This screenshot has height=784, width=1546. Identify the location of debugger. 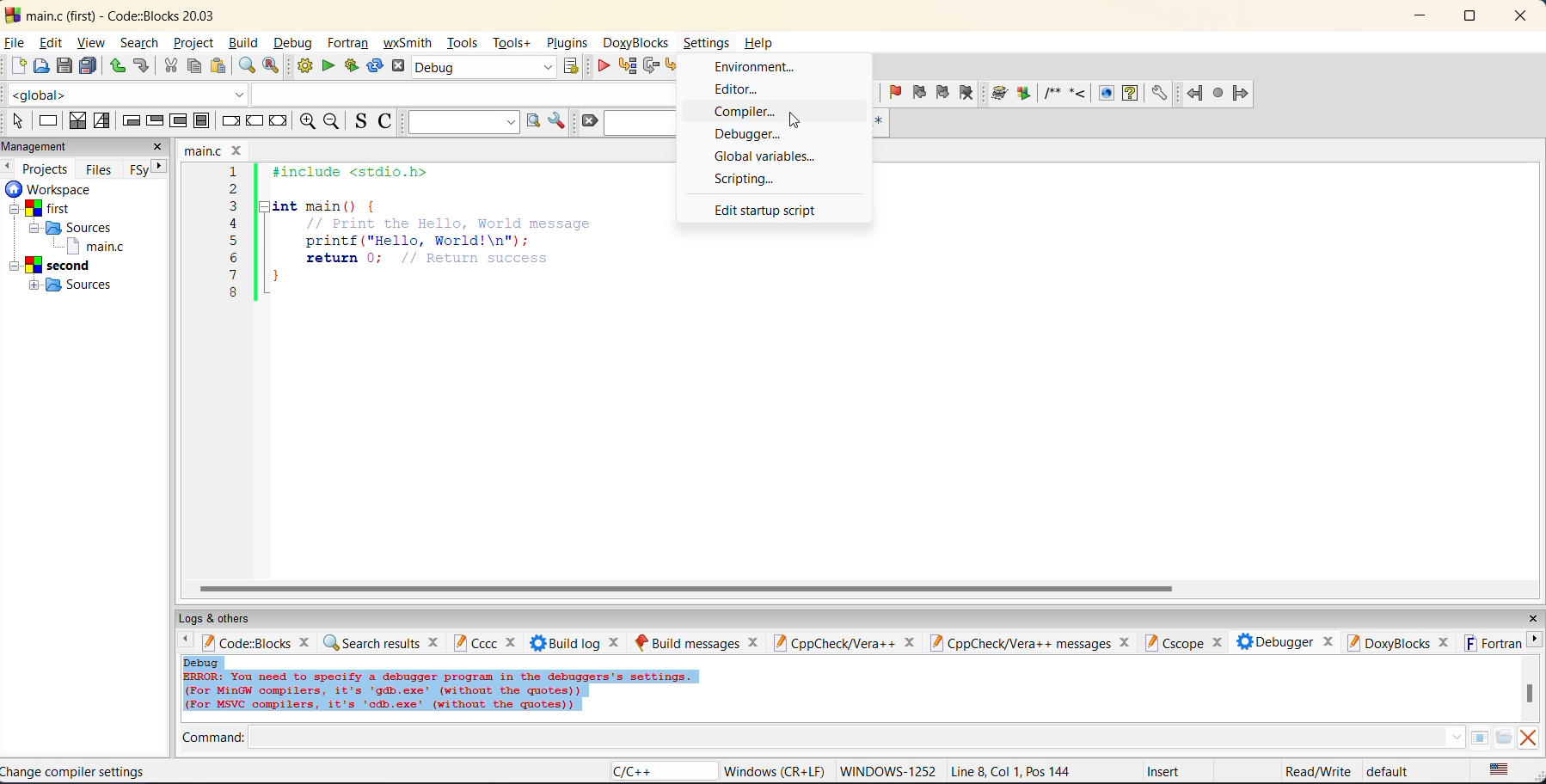
(1286, 640).